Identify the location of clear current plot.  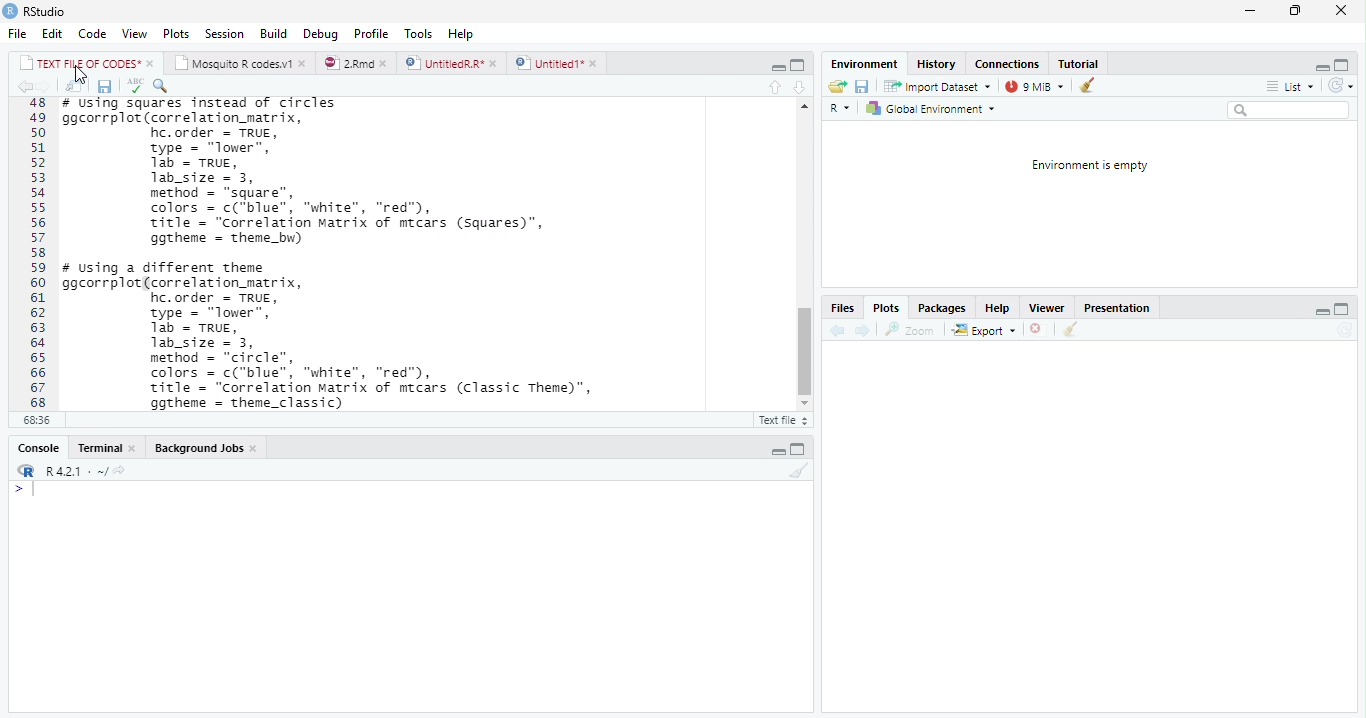
(1034, 330).